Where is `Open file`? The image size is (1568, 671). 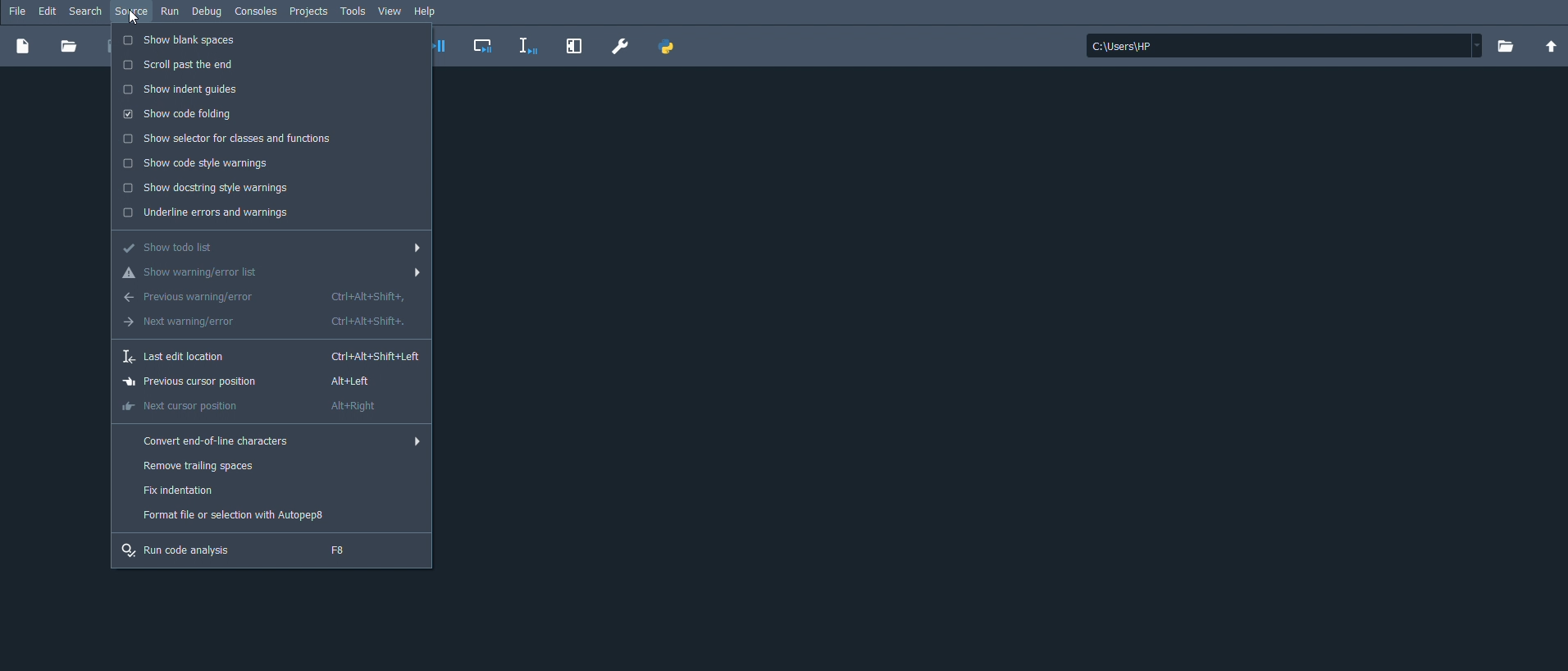 Open file is located at coordinates (71, 48).